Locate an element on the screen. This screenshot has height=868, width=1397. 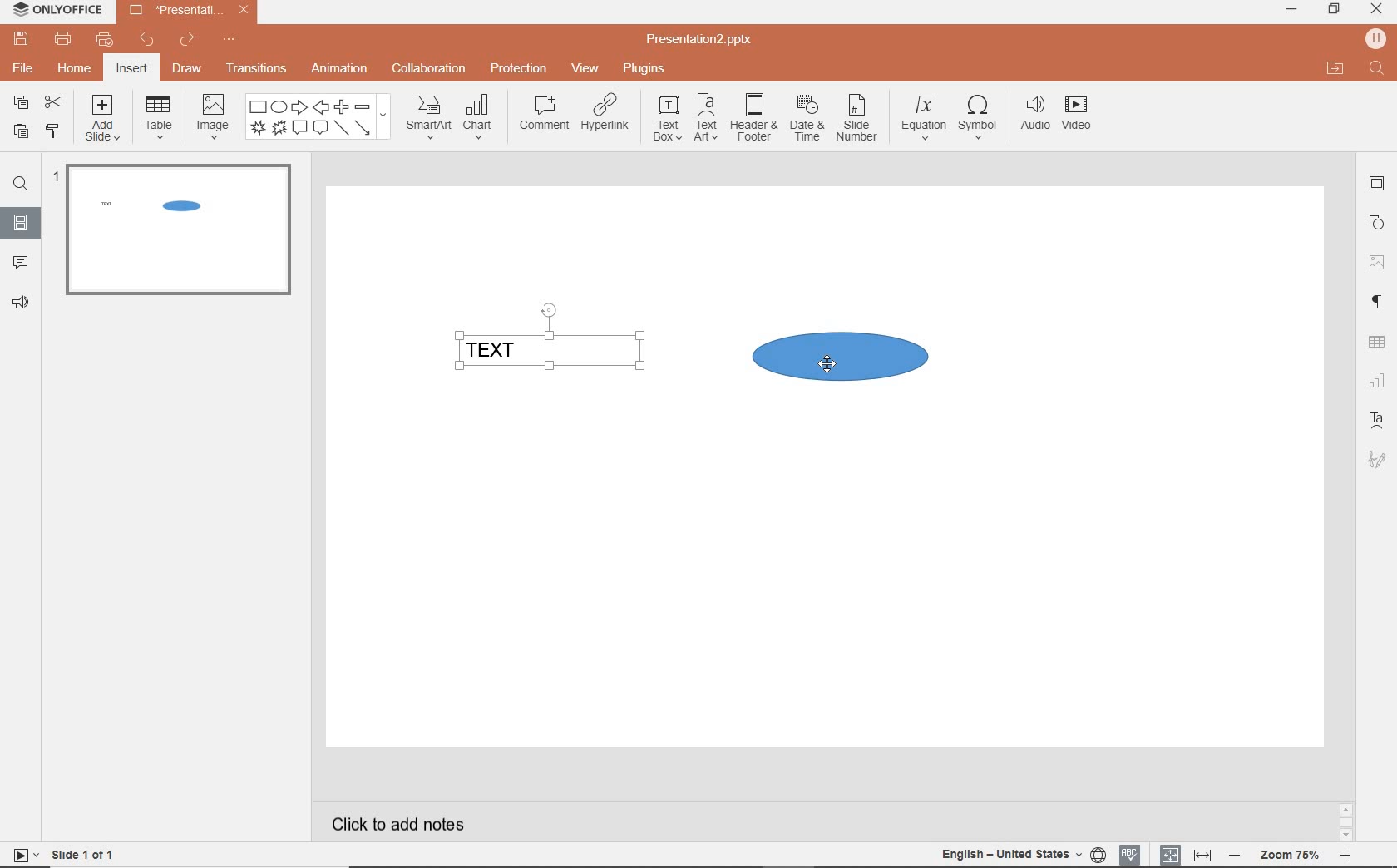
table is located at coordinates (156, 118).